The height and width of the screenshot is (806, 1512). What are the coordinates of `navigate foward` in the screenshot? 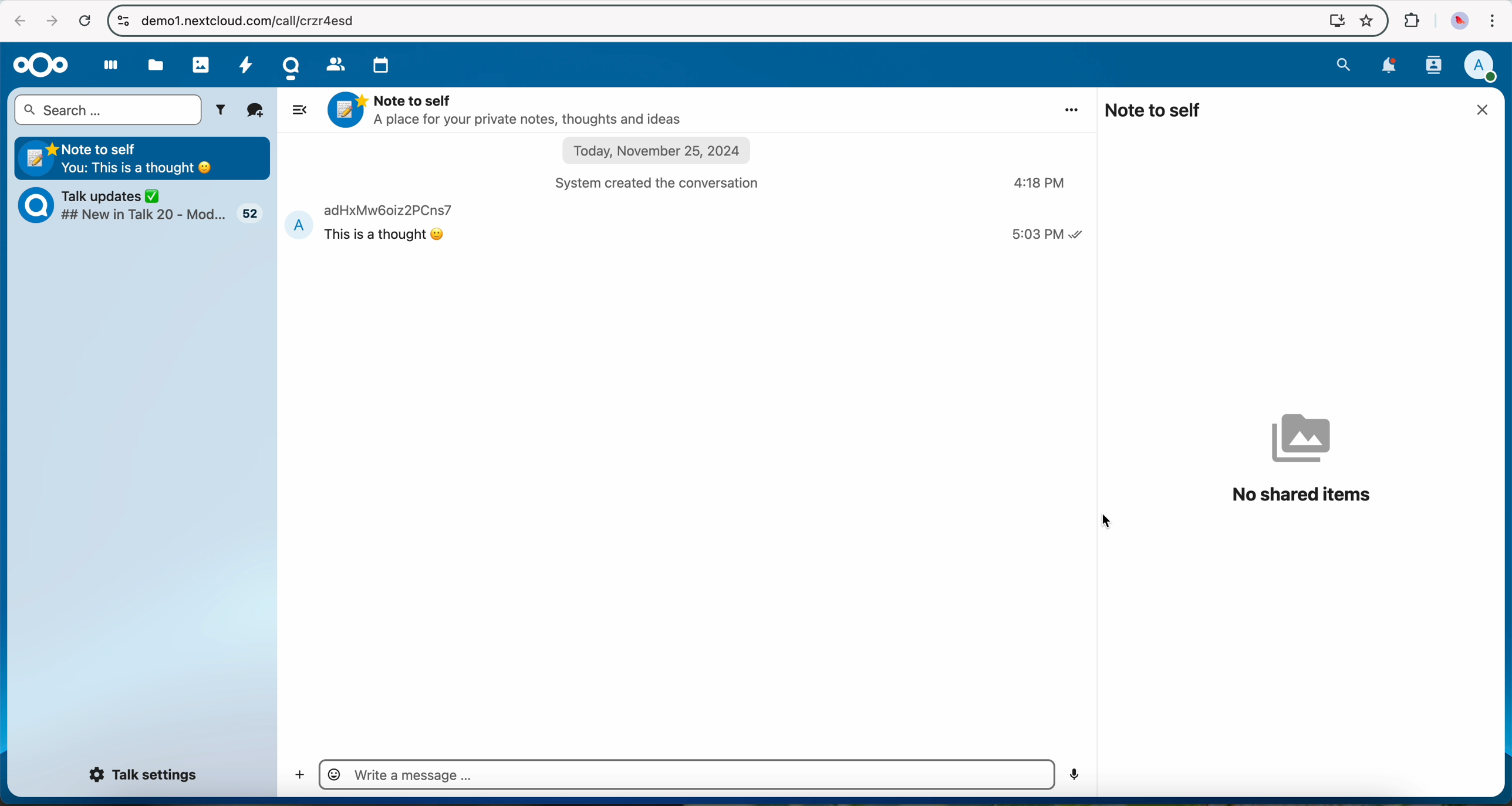 It's located at (51, 22).